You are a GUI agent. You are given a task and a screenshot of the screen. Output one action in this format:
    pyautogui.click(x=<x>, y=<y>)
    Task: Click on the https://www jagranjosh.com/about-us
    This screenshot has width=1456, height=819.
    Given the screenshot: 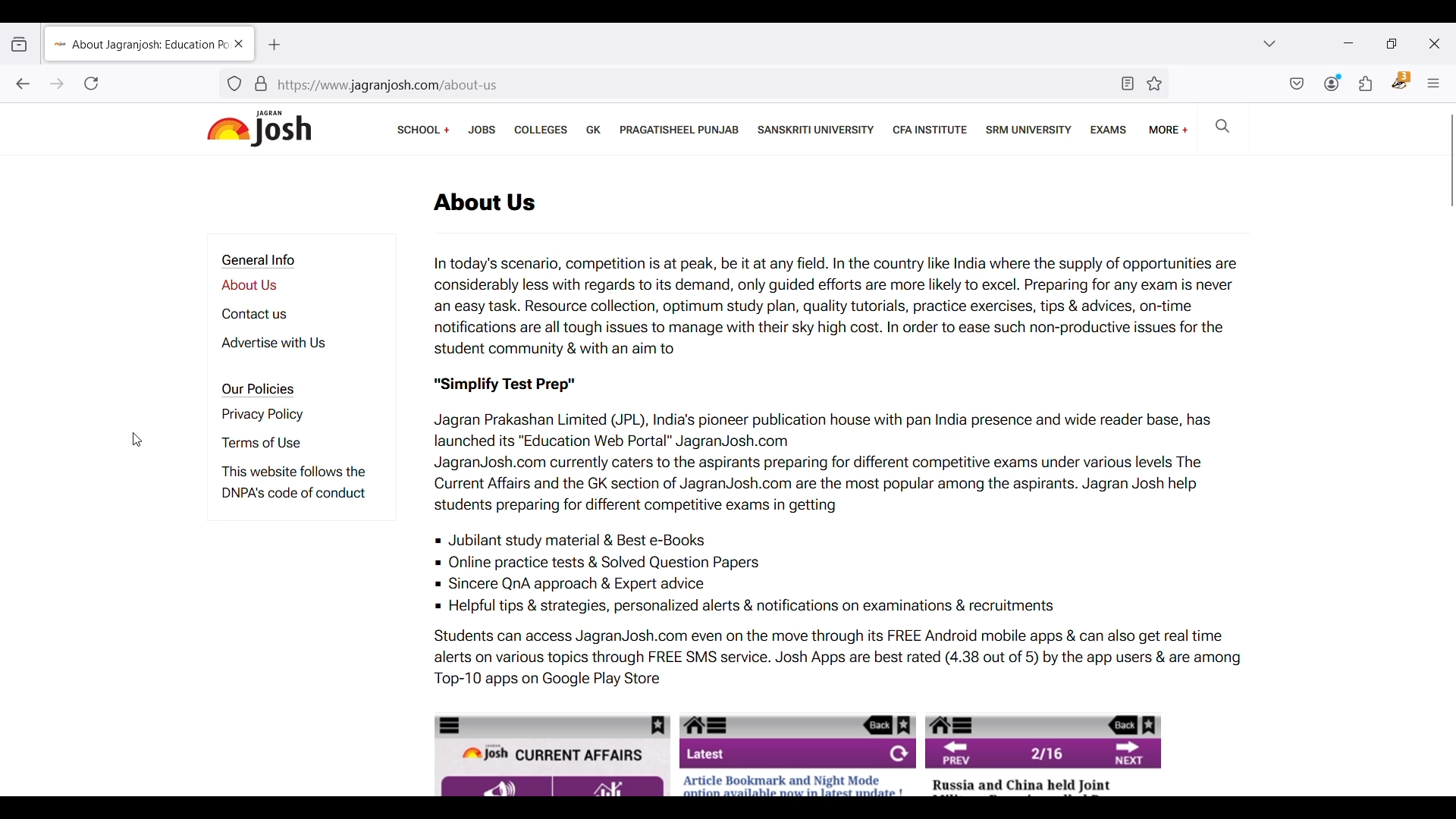 What is the action you would take?
    pyautogui.click(x=694, y=83)
    